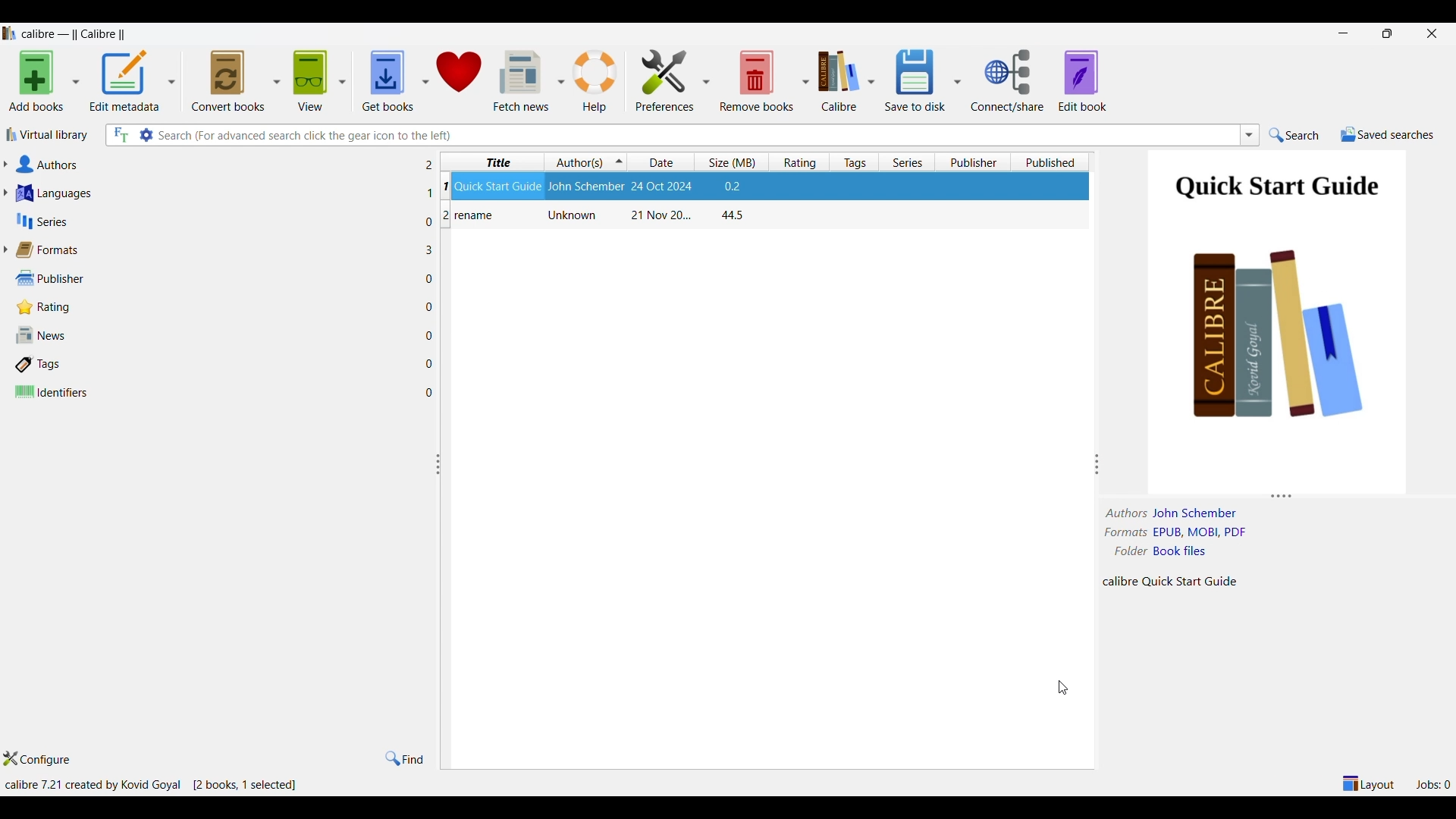 The height and width of the screenshot is (819, 1456). What do you see at coordinates (596, 82) in the screenshot?
I see `Help` at bounding box center [596, 82].